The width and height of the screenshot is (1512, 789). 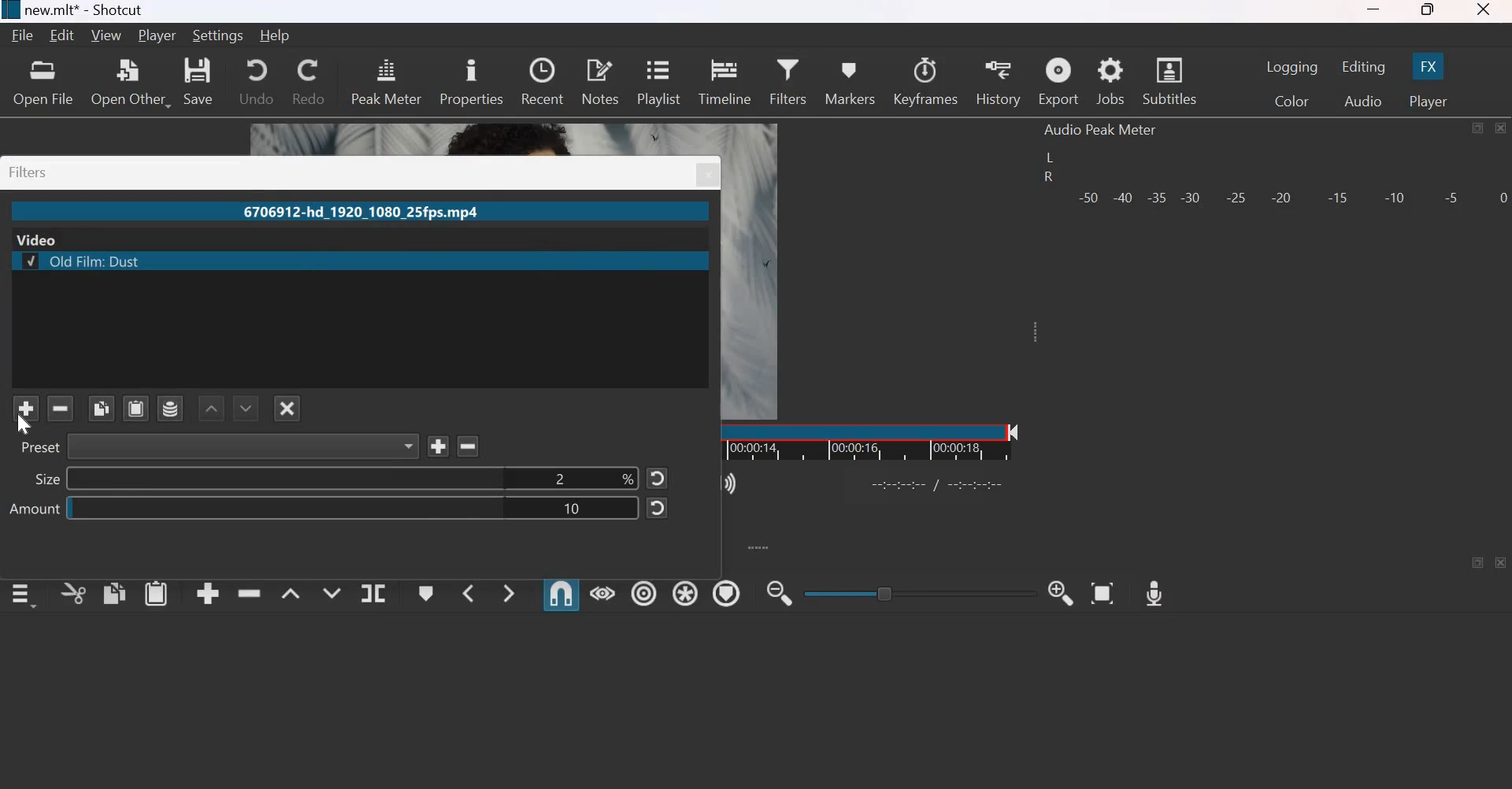 I want to click on close, so click(x=706, y=174).